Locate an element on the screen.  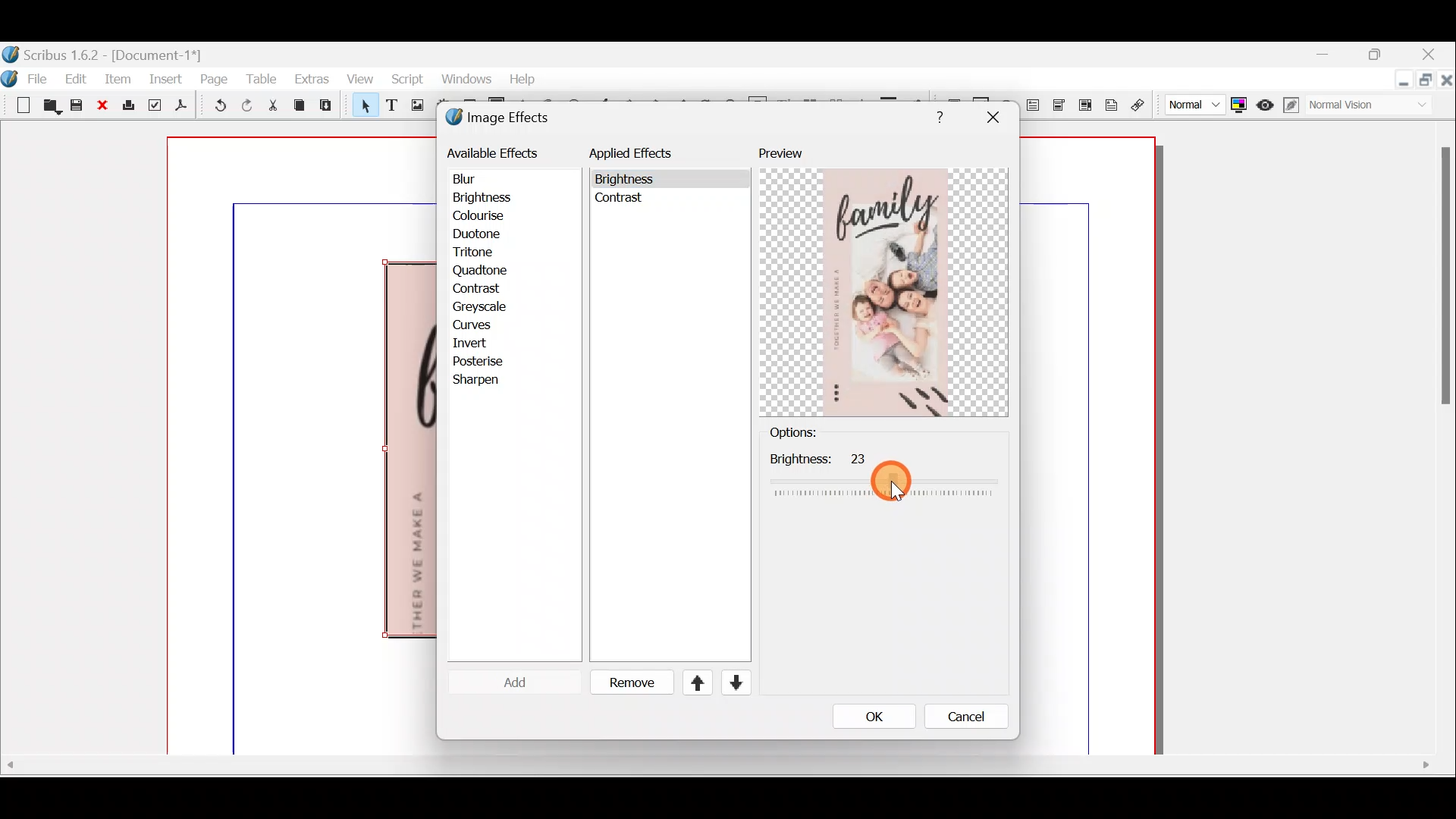
Cut is located at coordinates (272, 108).